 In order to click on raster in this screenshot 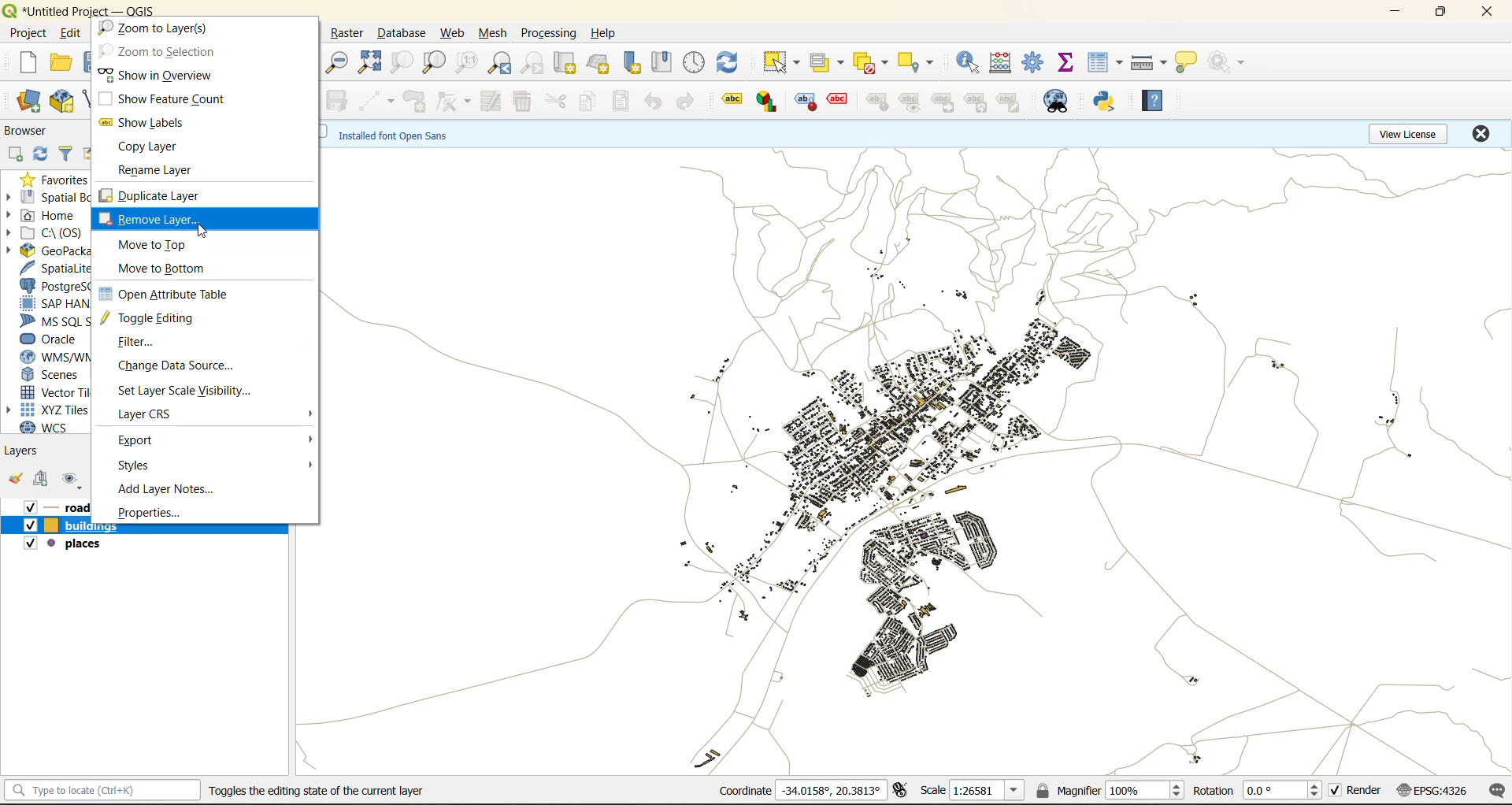, I will do `click(345, 34)`.